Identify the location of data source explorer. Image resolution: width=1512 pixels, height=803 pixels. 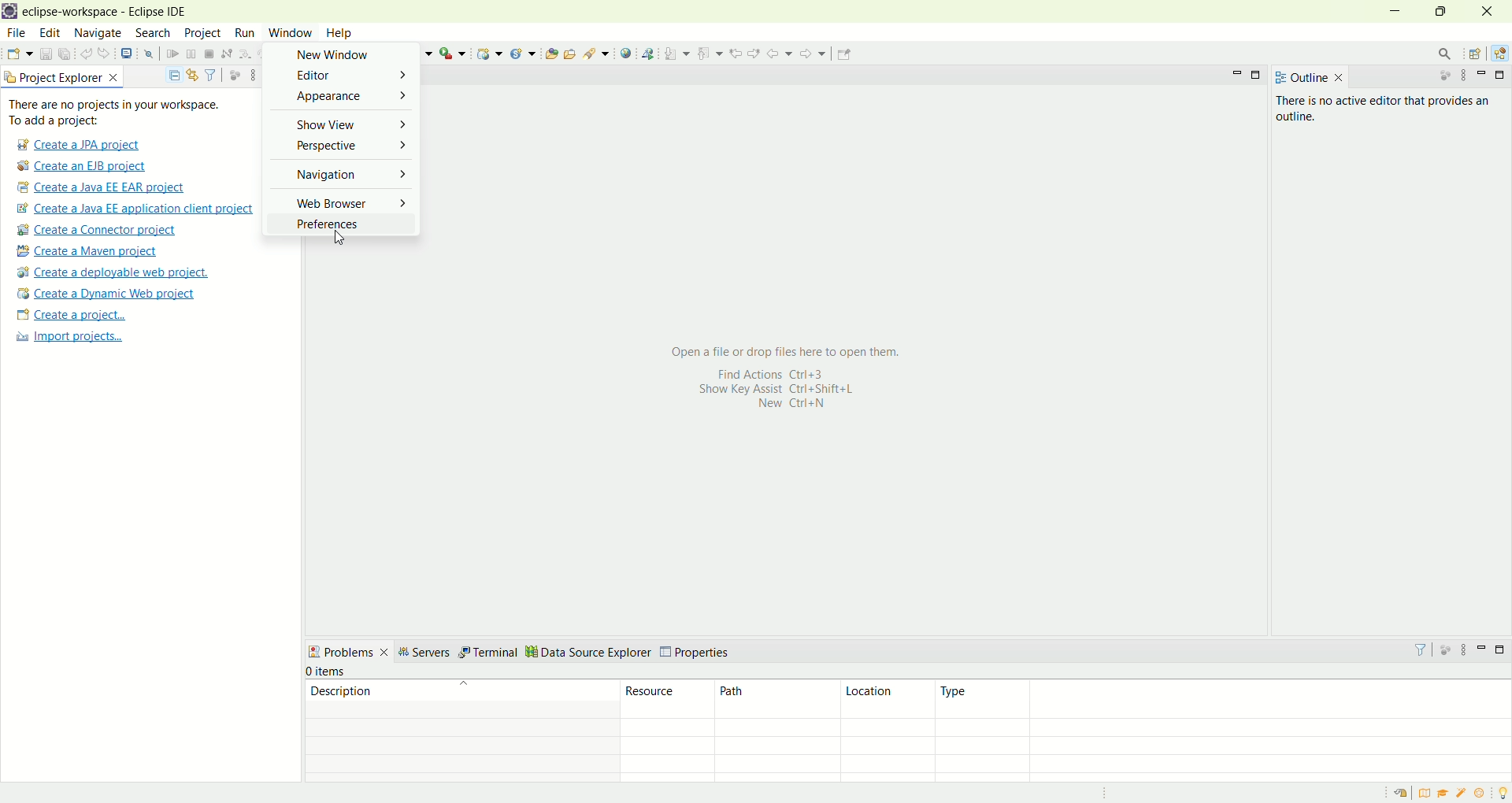
(591, 651).